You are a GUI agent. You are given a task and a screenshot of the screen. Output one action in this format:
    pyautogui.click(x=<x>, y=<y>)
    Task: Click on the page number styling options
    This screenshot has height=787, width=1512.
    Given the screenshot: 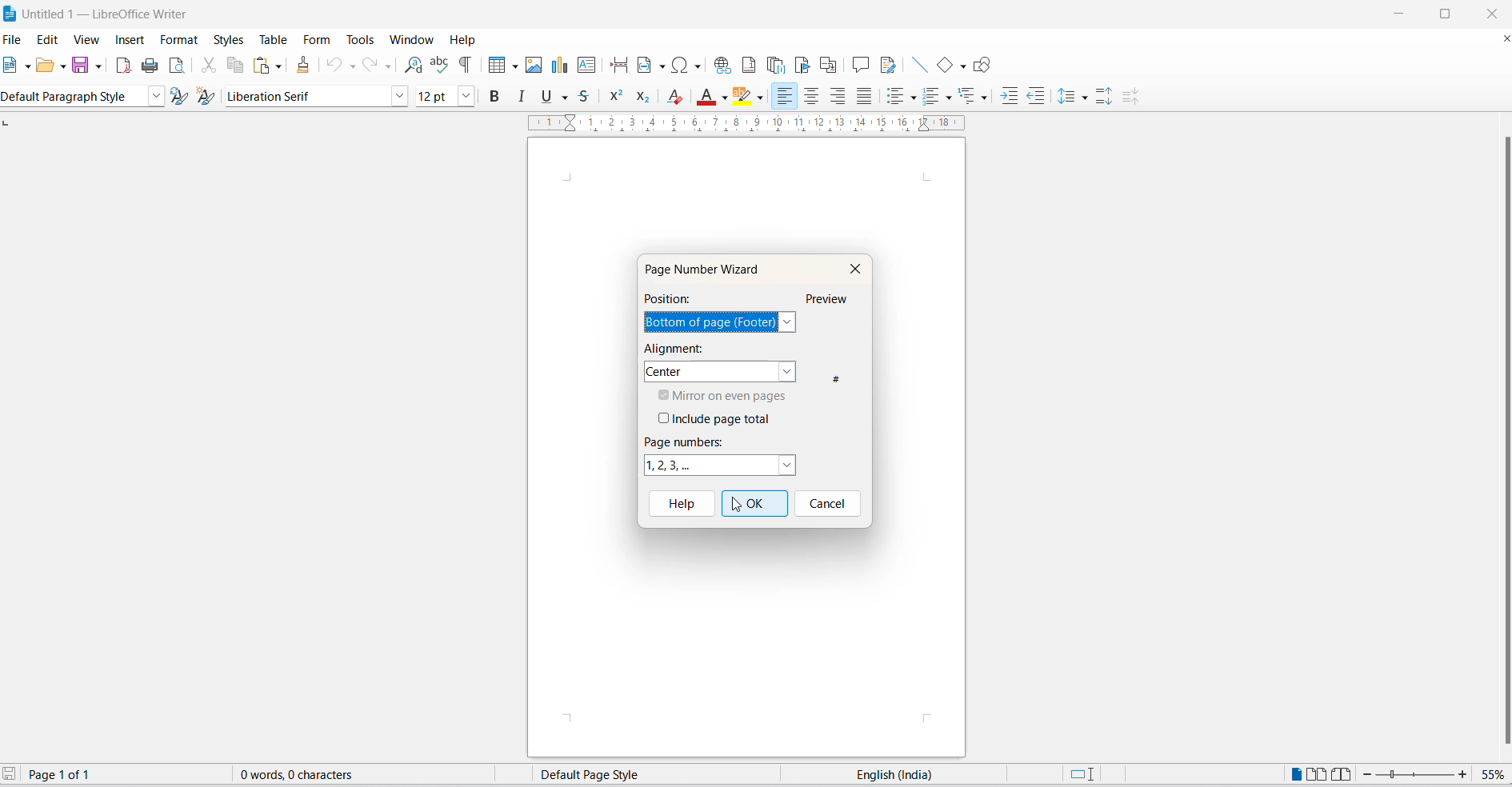 What is the action you would take?
    pyautogui.click(x=718, y=465)
    